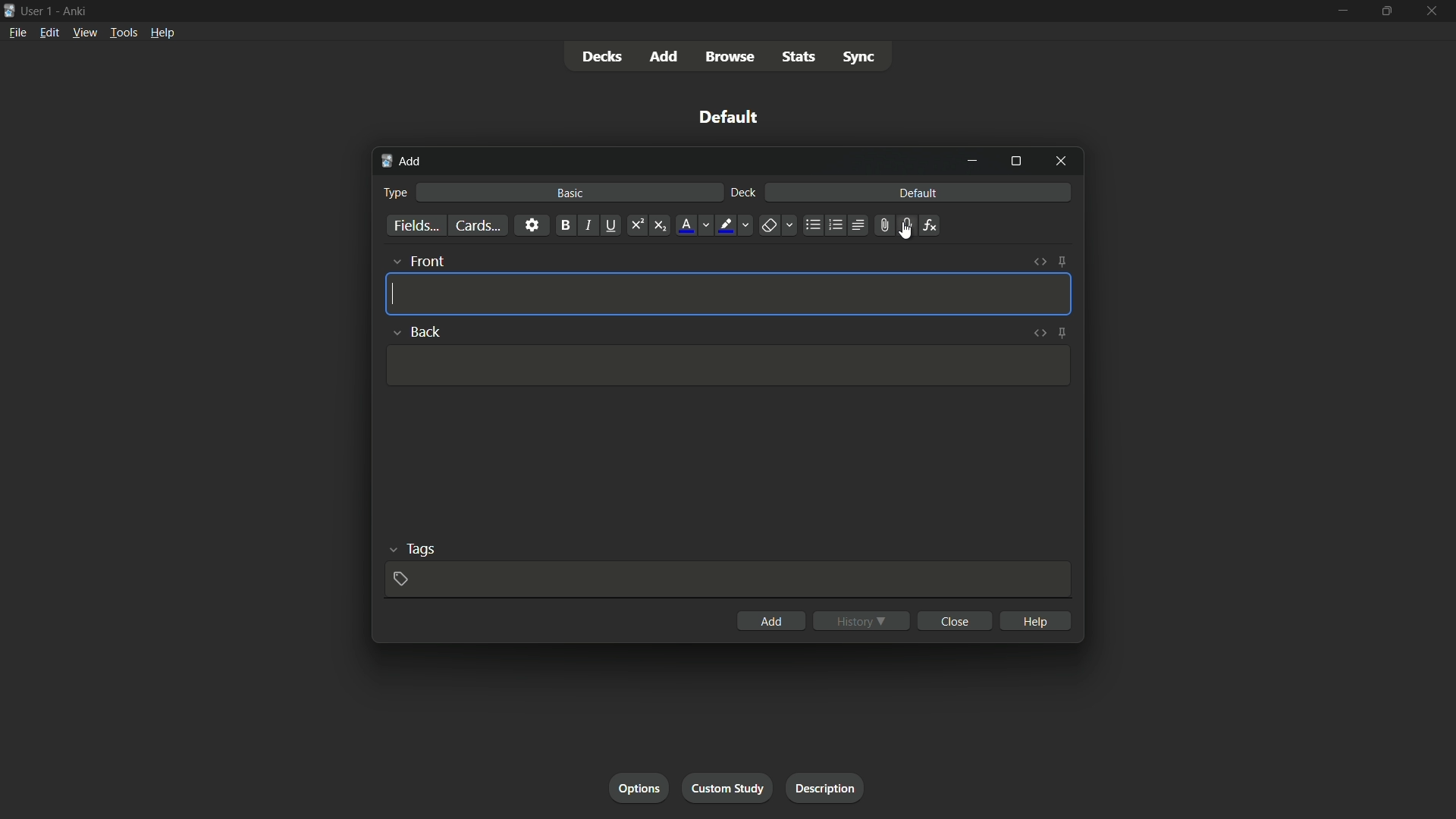 Image resolution: width=1456 pixels, height=819 pixels. What do you see at coordinates (74, 11) in the screenshot?
I see `app name` at bounding box center [74, 11].